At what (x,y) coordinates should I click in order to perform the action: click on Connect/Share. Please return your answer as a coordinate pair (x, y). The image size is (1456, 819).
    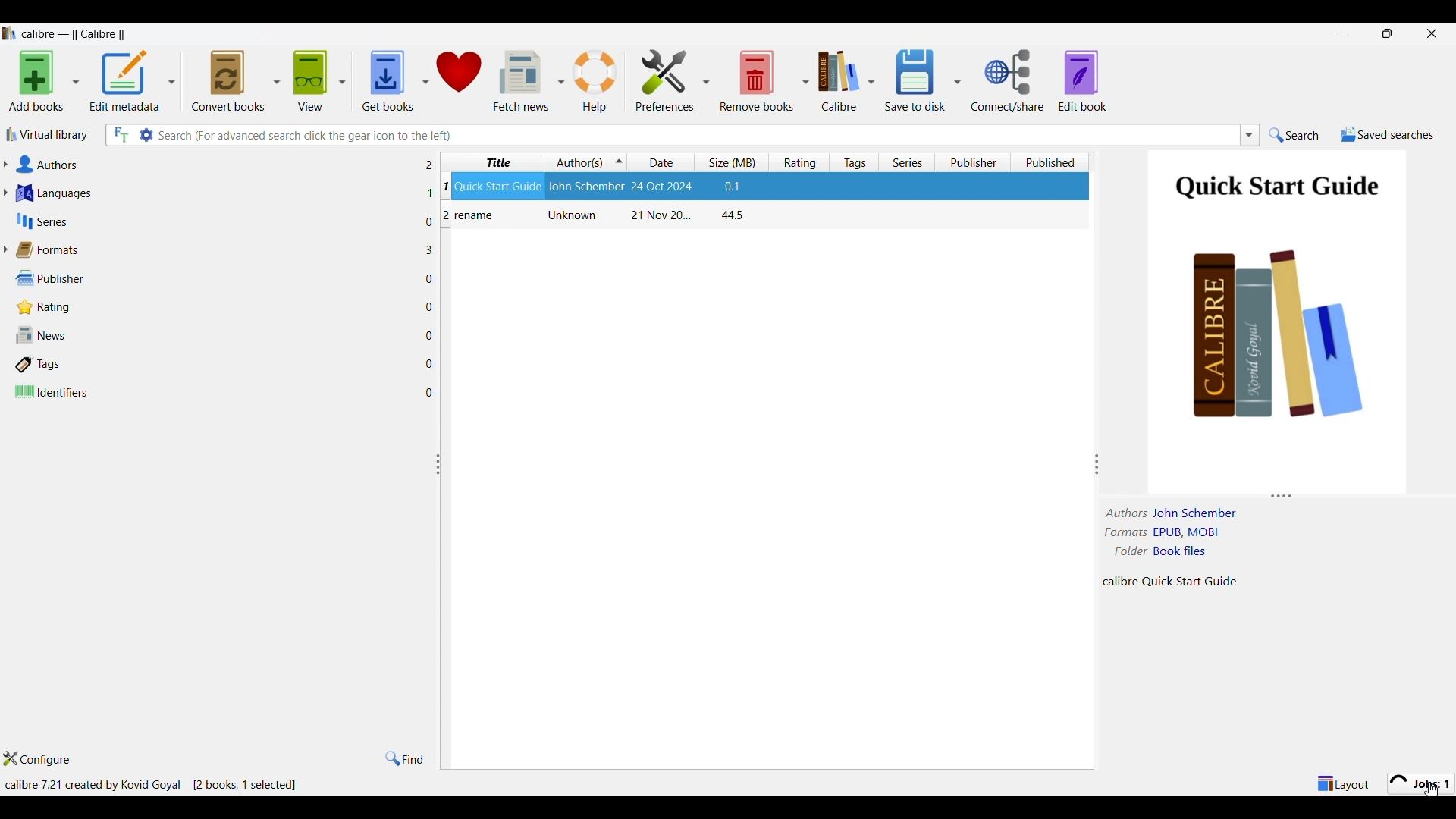
    Looking at the image, I should click on (1009, 80).